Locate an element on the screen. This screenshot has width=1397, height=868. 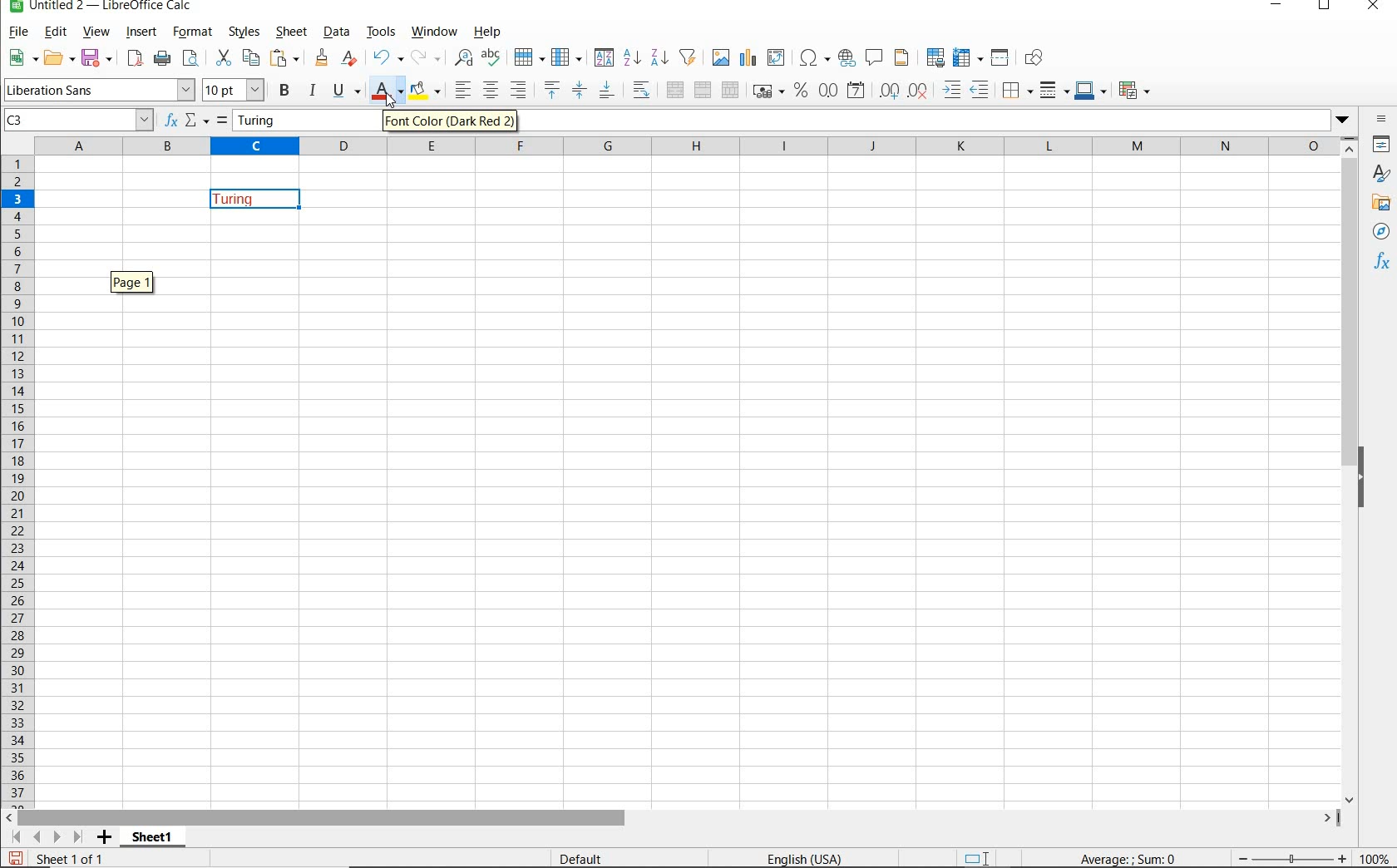
FUNCTIONS is located at coordinates (1382, 263).